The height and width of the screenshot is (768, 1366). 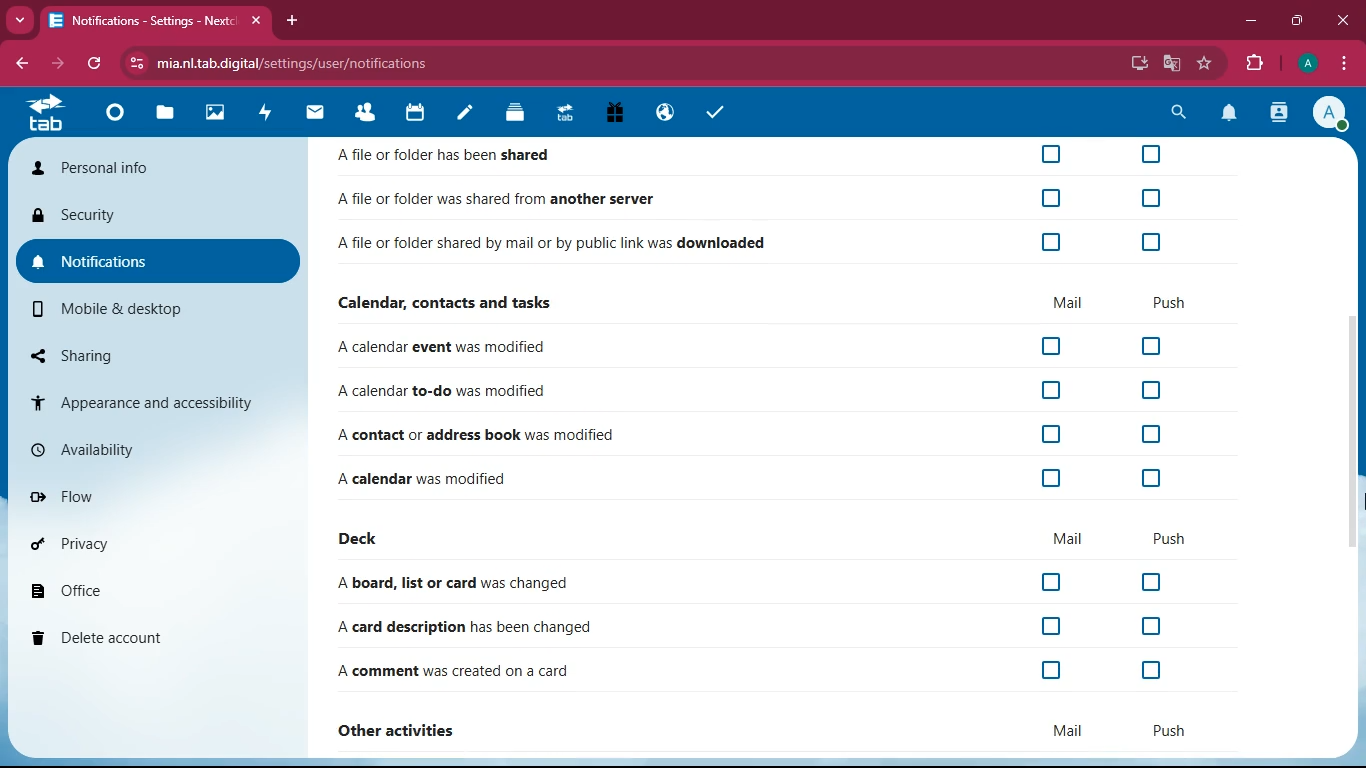 What do you see at coordinates (1306, 64) in the screenshot?
I see `Account` at bounding box center [1306, 64].